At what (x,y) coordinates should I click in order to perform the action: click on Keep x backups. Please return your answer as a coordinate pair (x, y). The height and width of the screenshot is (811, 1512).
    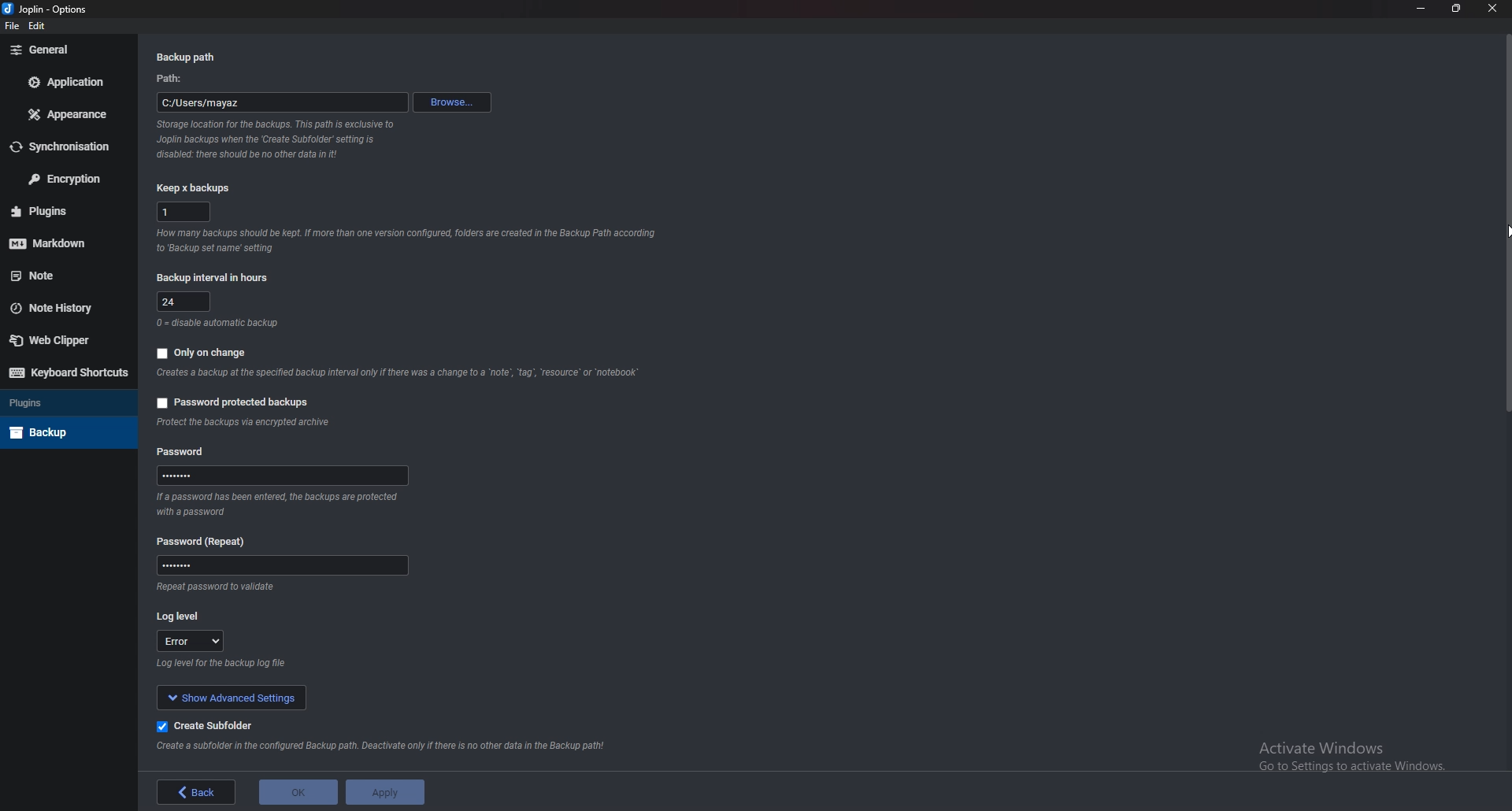
    Looking at the image, I should click on (196, 187).